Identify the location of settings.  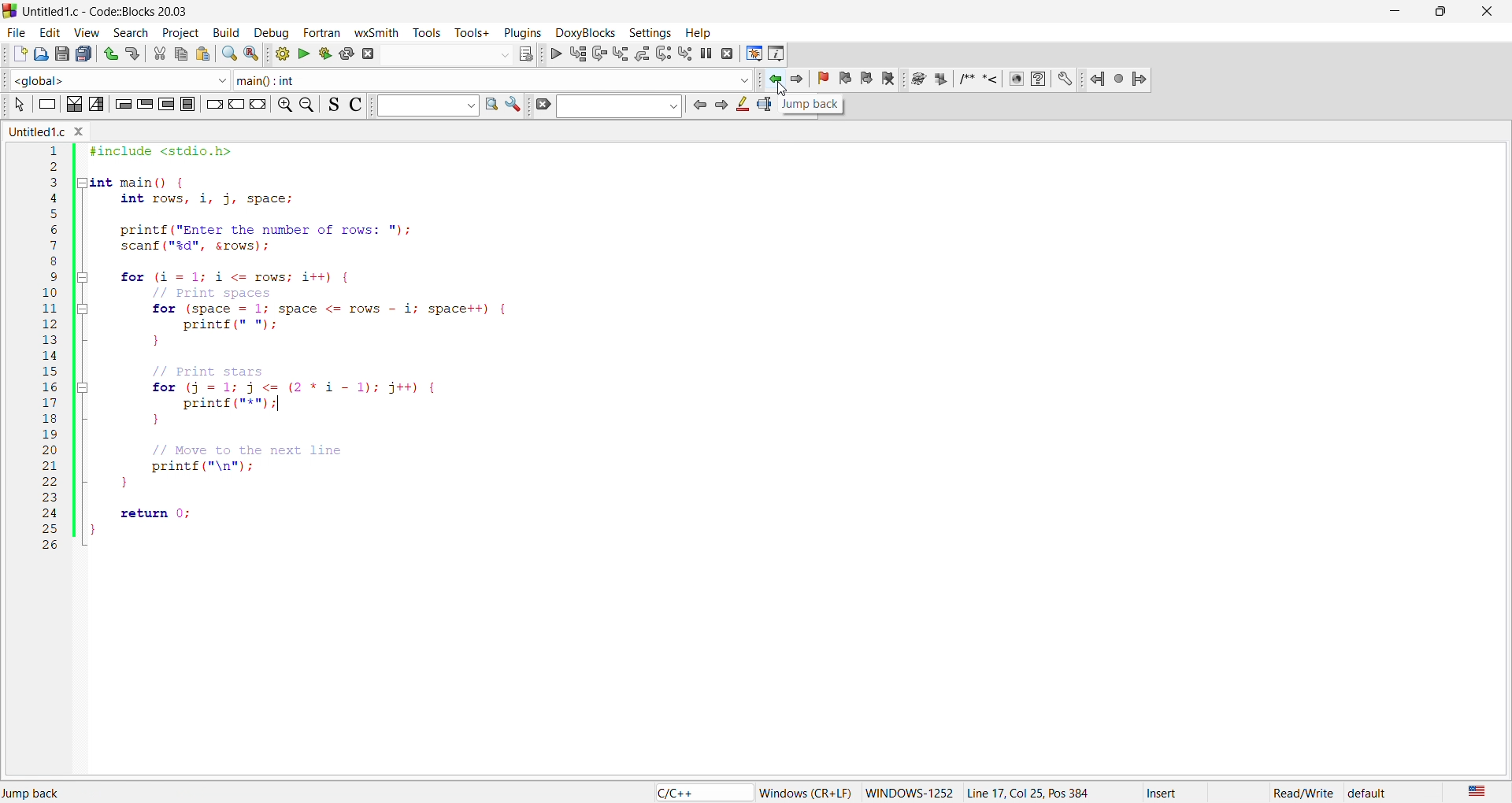
(647, 31).